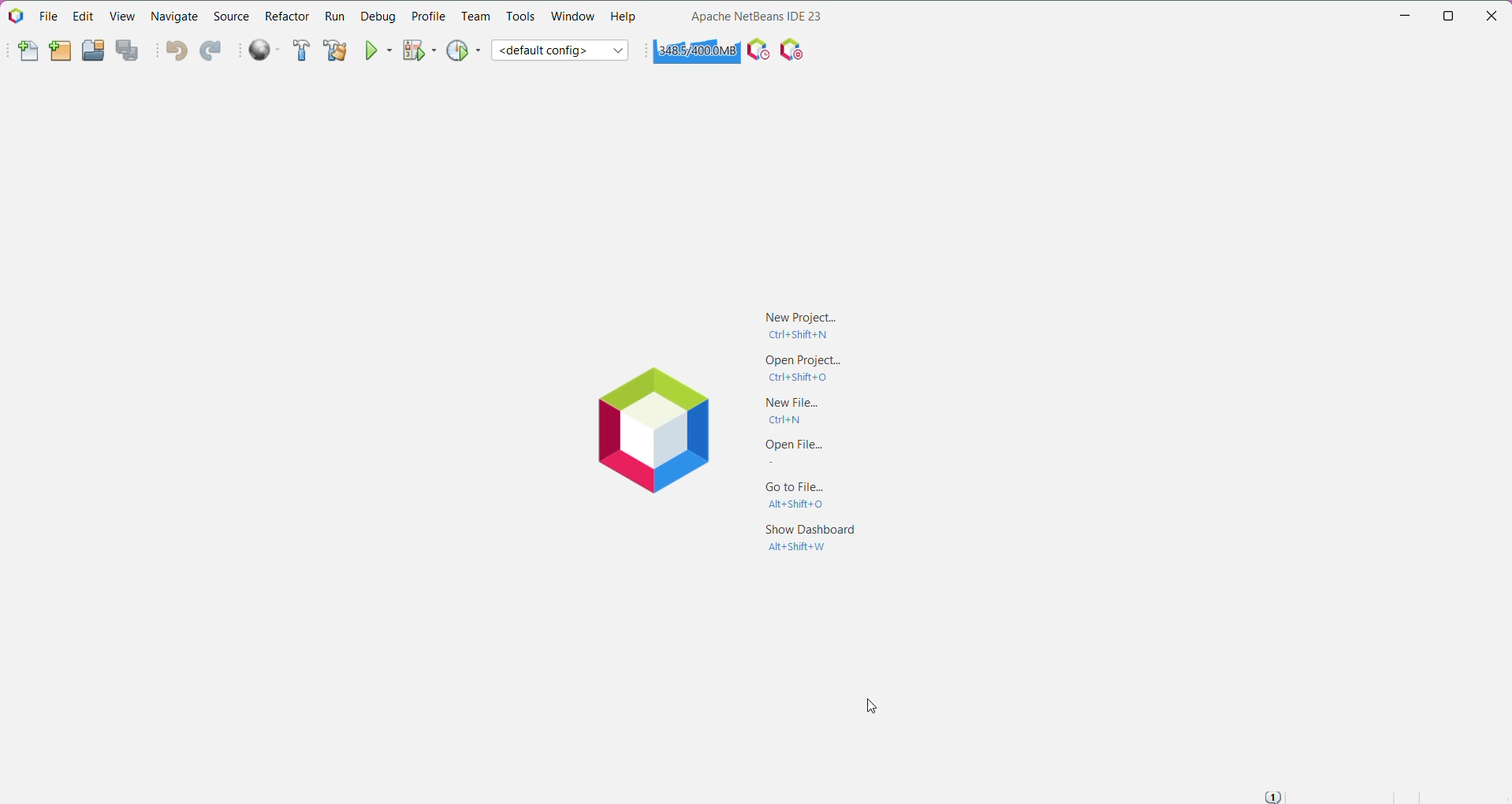 This screenshot has height=804, width=1512. Describe the element at coordinates (130, 51) in the screenshot. I see `Save All` at that location.